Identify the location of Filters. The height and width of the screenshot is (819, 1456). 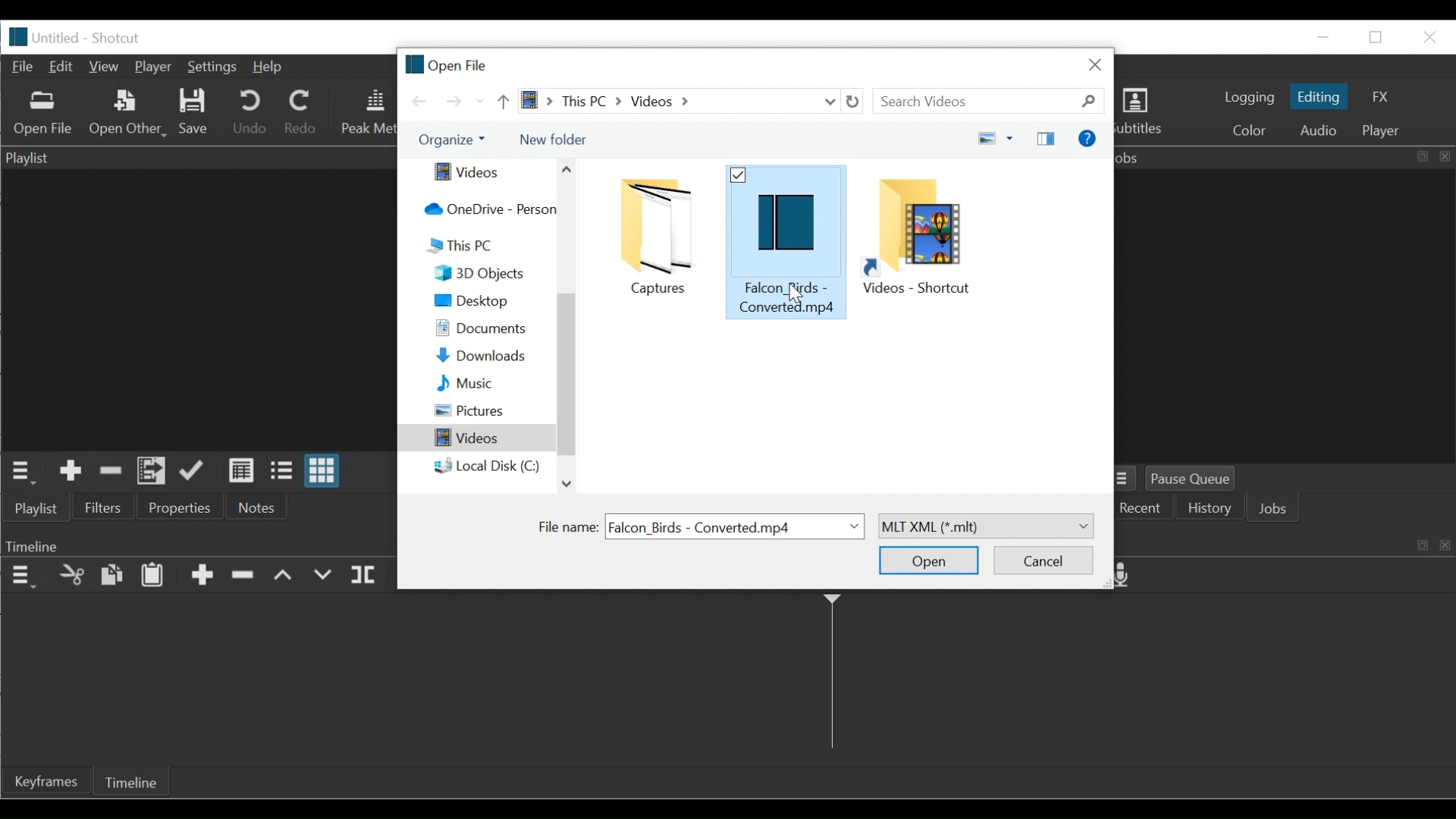
(102, 506).